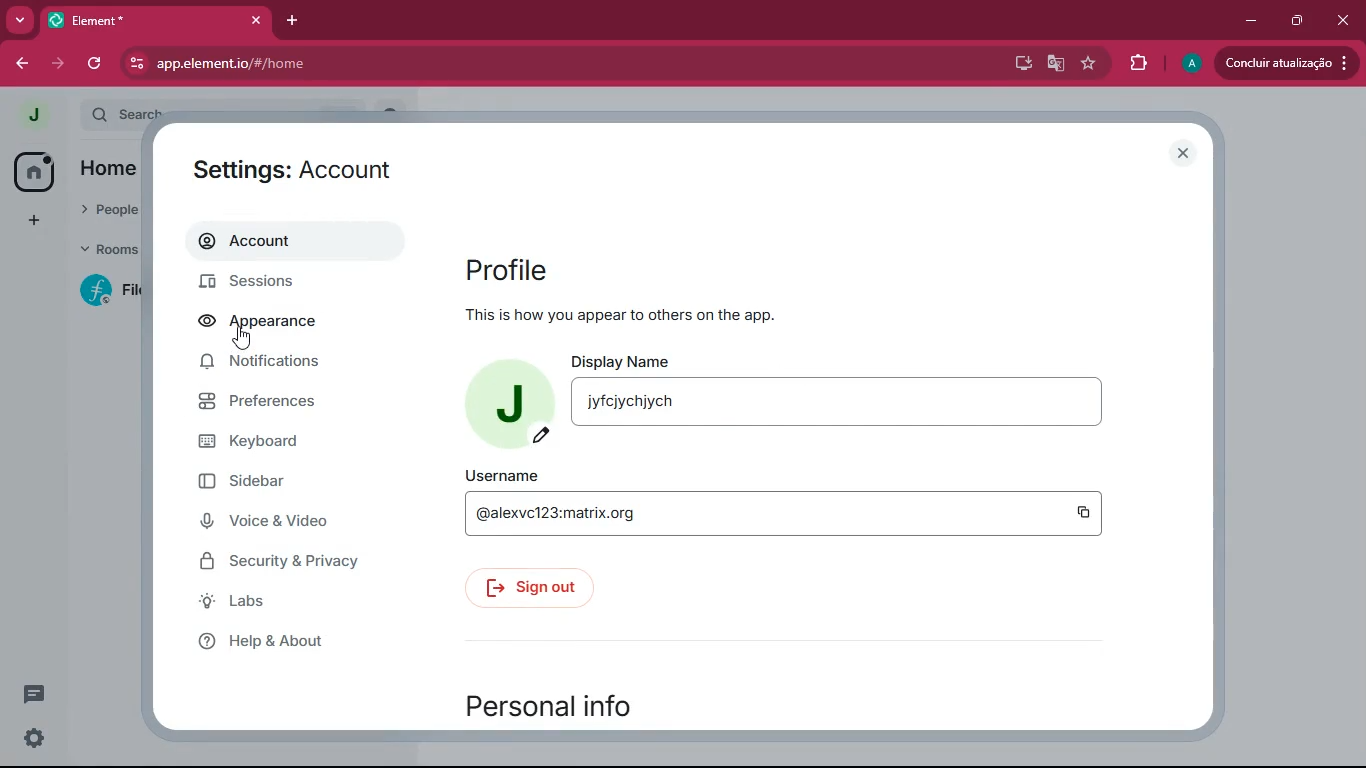  Describe the element at coordinates (20, 61) in the screenshot. I see `back` at that location.